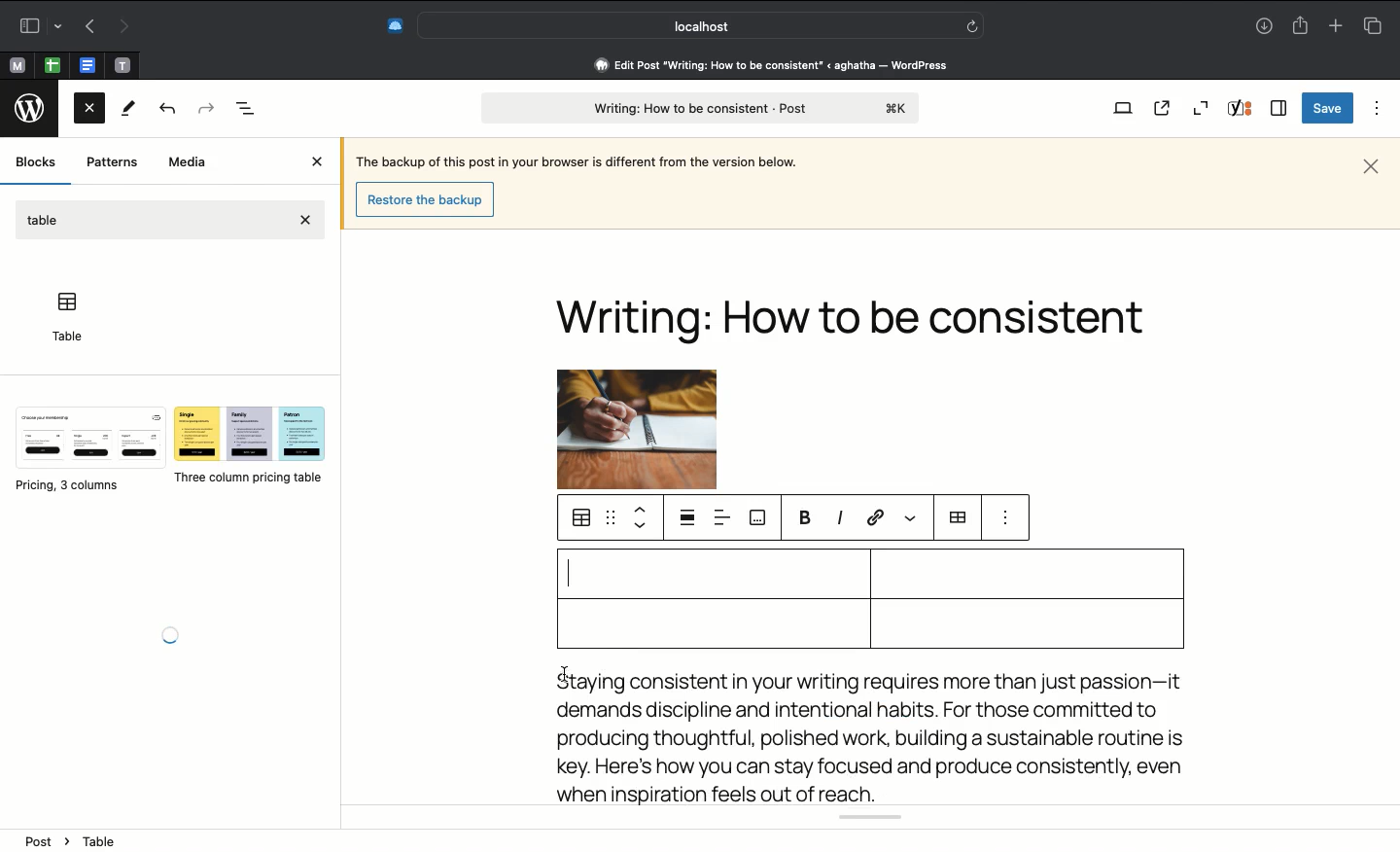 Image resolution: width=1400 pixels, height=852 pixels. What do you see at coordinates (36, 25) in the screenshot?
I see `Sidebar` at bounding box center [36, 25].